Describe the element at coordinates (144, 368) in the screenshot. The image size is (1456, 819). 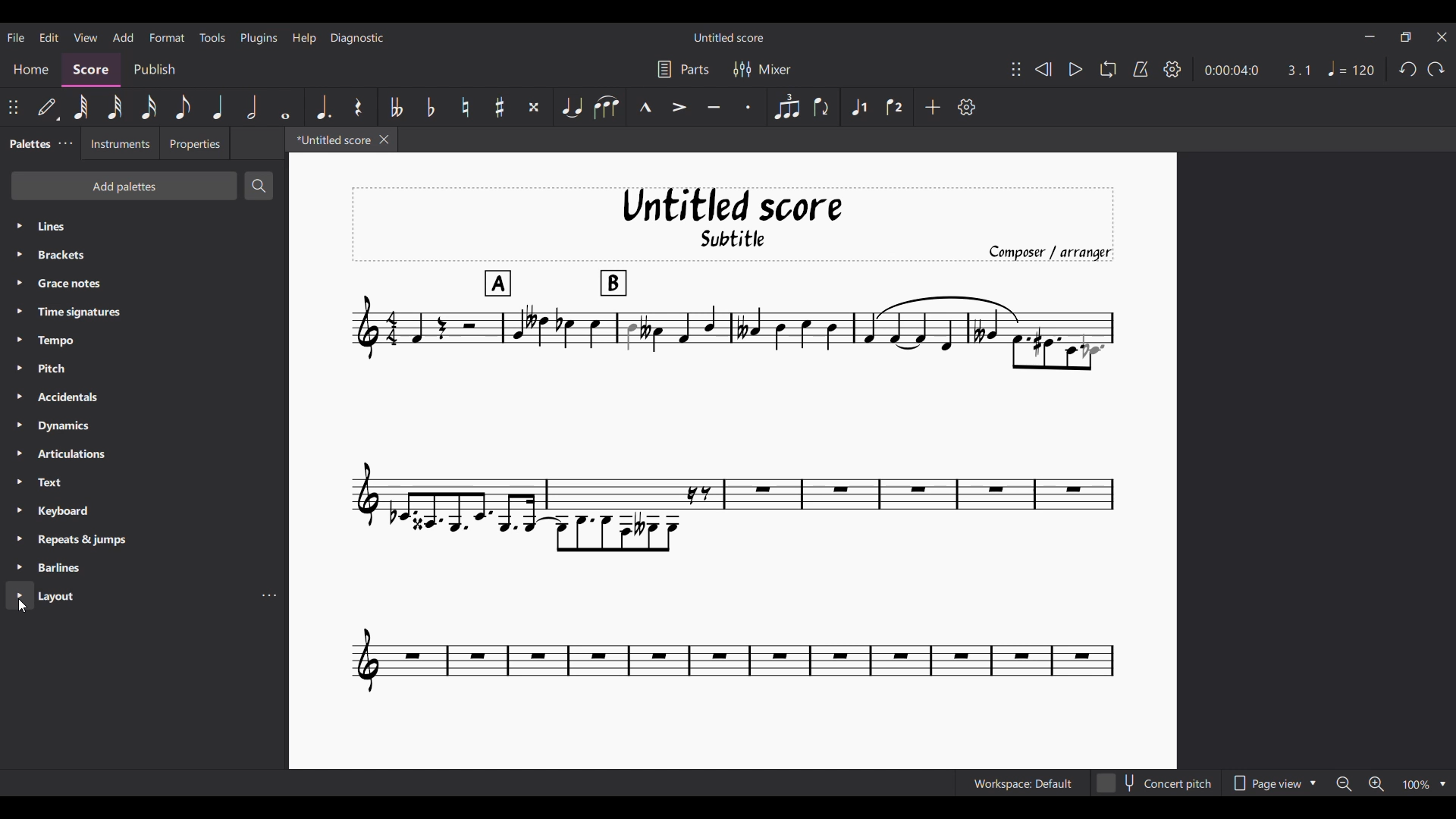
I see `Pitch` at that location.